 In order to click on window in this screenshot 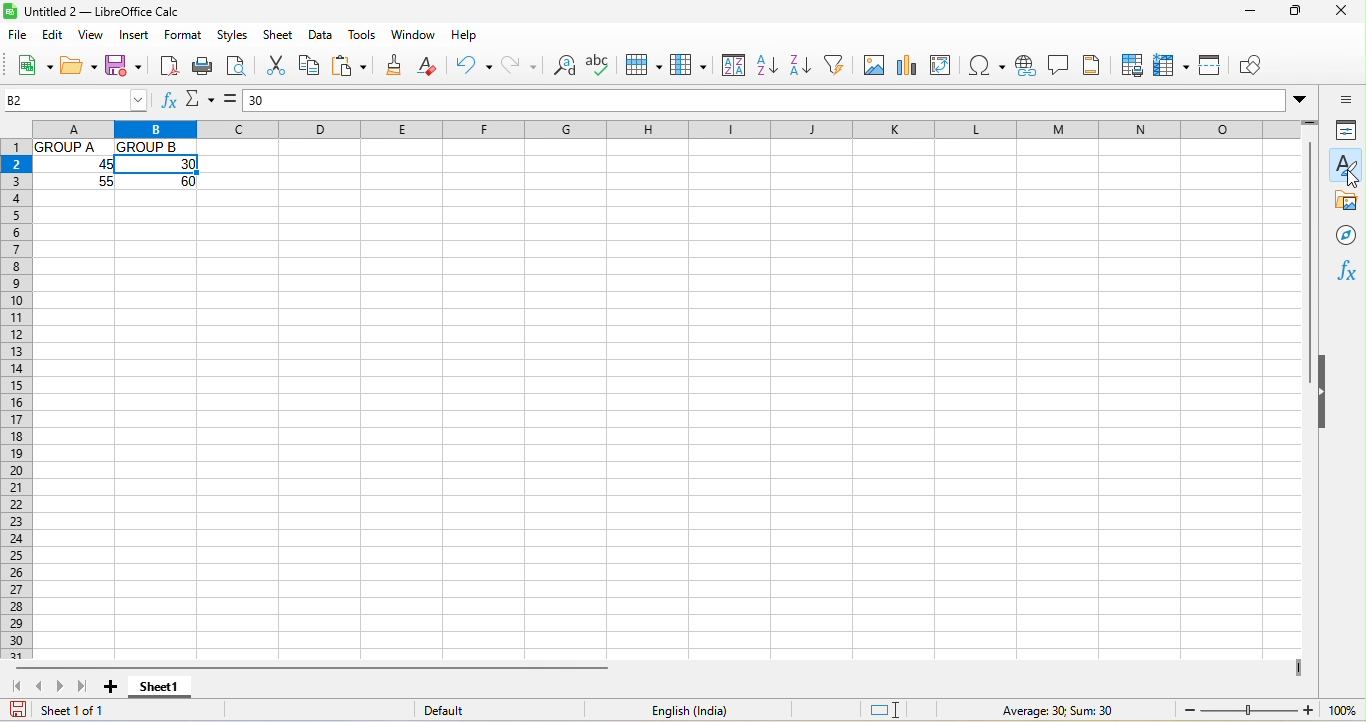, I will do `click(415, 36)`.